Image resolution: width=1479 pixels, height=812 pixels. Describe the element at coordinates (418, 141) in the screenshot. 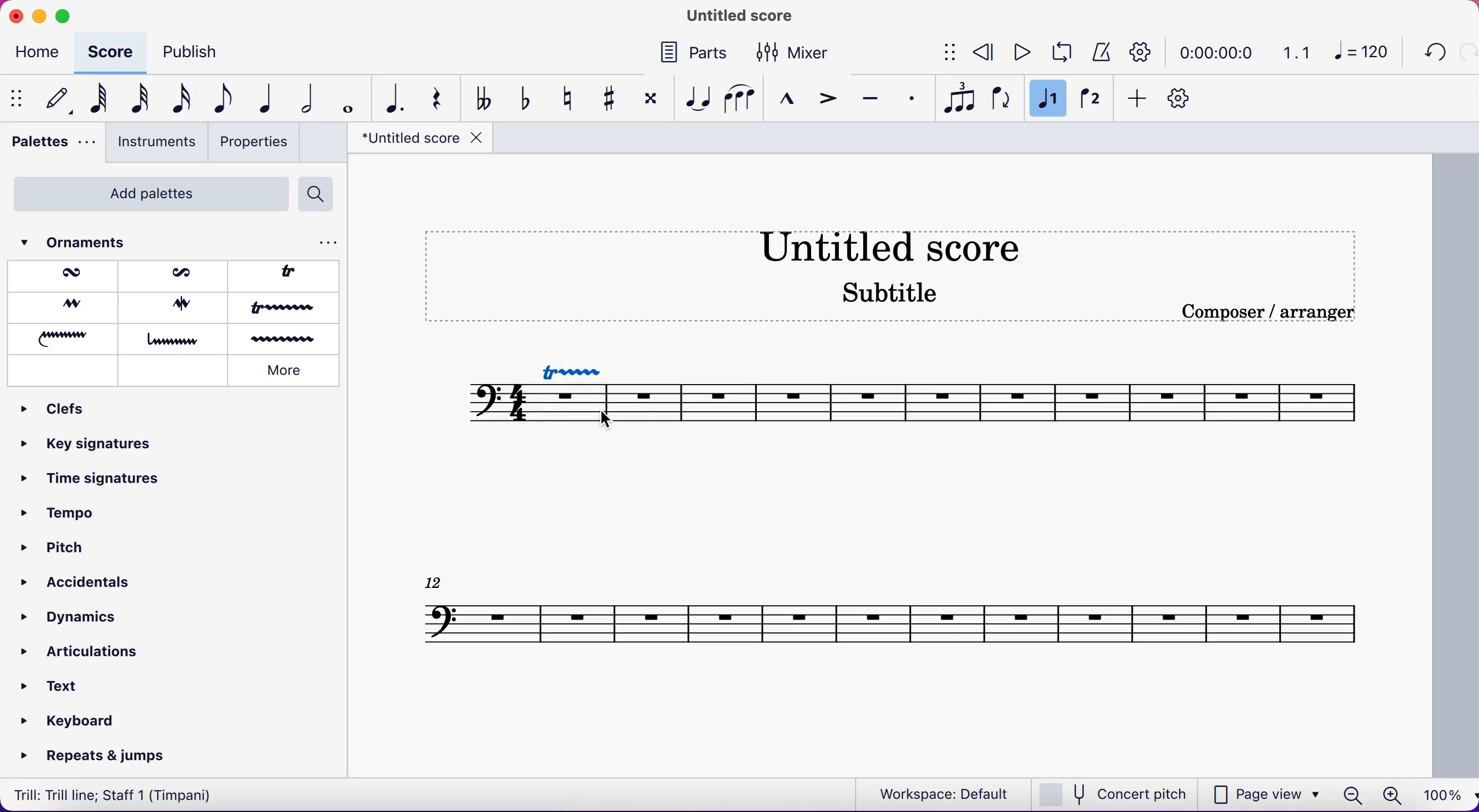

I see `title` at that location.